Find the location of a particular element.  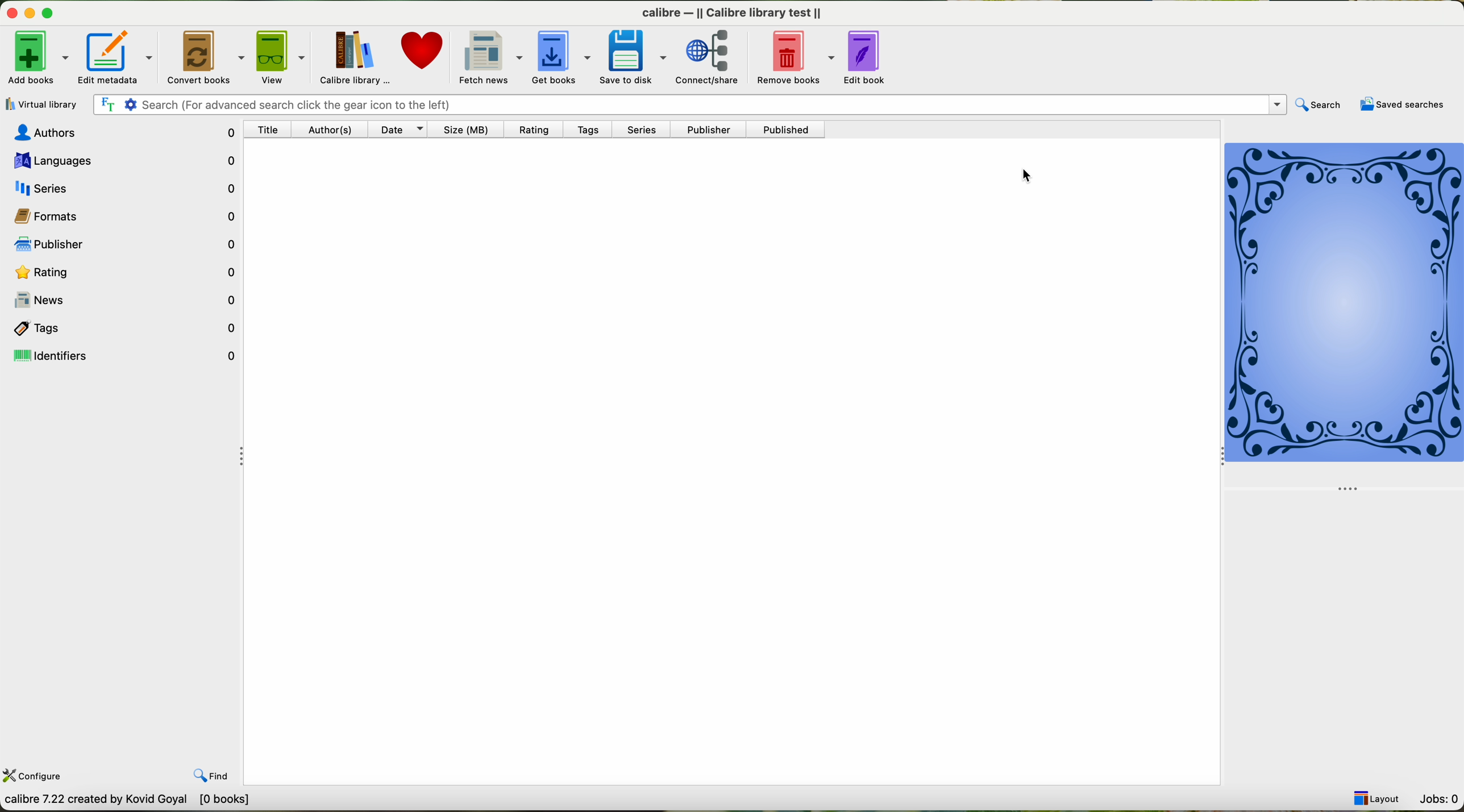

virtual library is located at coordinates (39, 104).